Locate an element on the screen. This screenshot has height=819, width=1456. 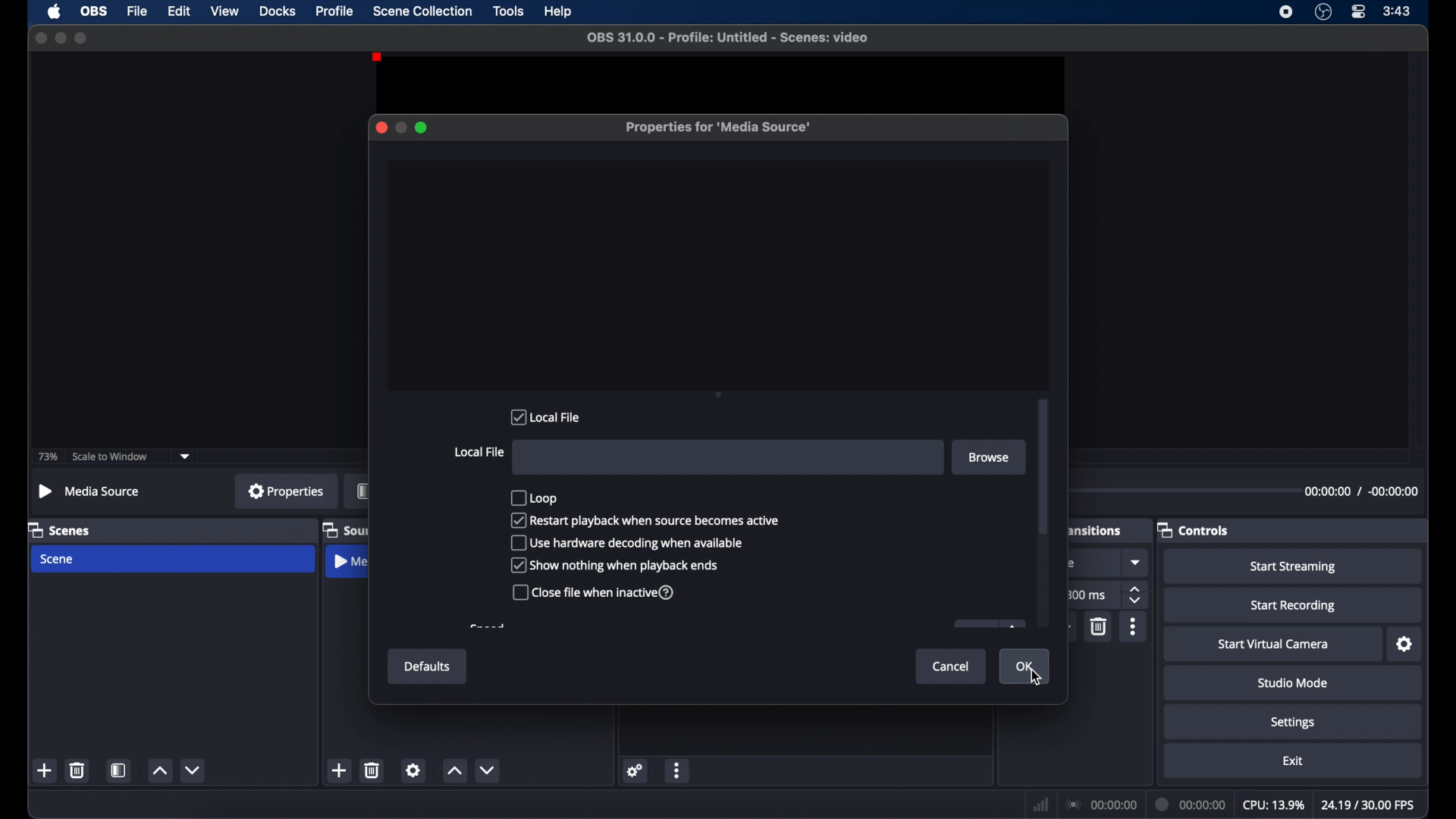
edit is located at coordinates (178, 11).